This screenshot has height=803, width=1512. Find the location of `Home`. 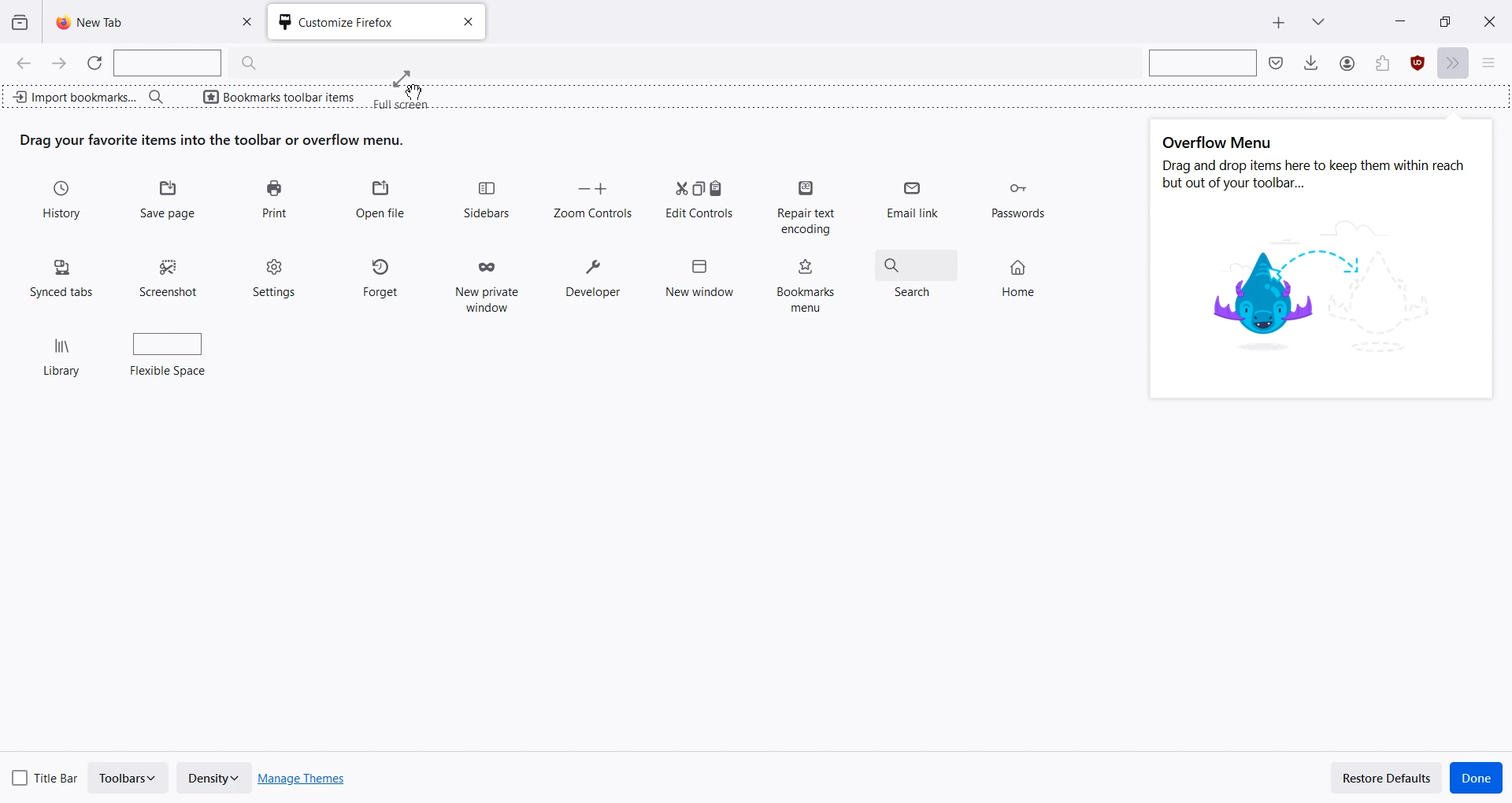

Home is located at coordinates (1025, 271).